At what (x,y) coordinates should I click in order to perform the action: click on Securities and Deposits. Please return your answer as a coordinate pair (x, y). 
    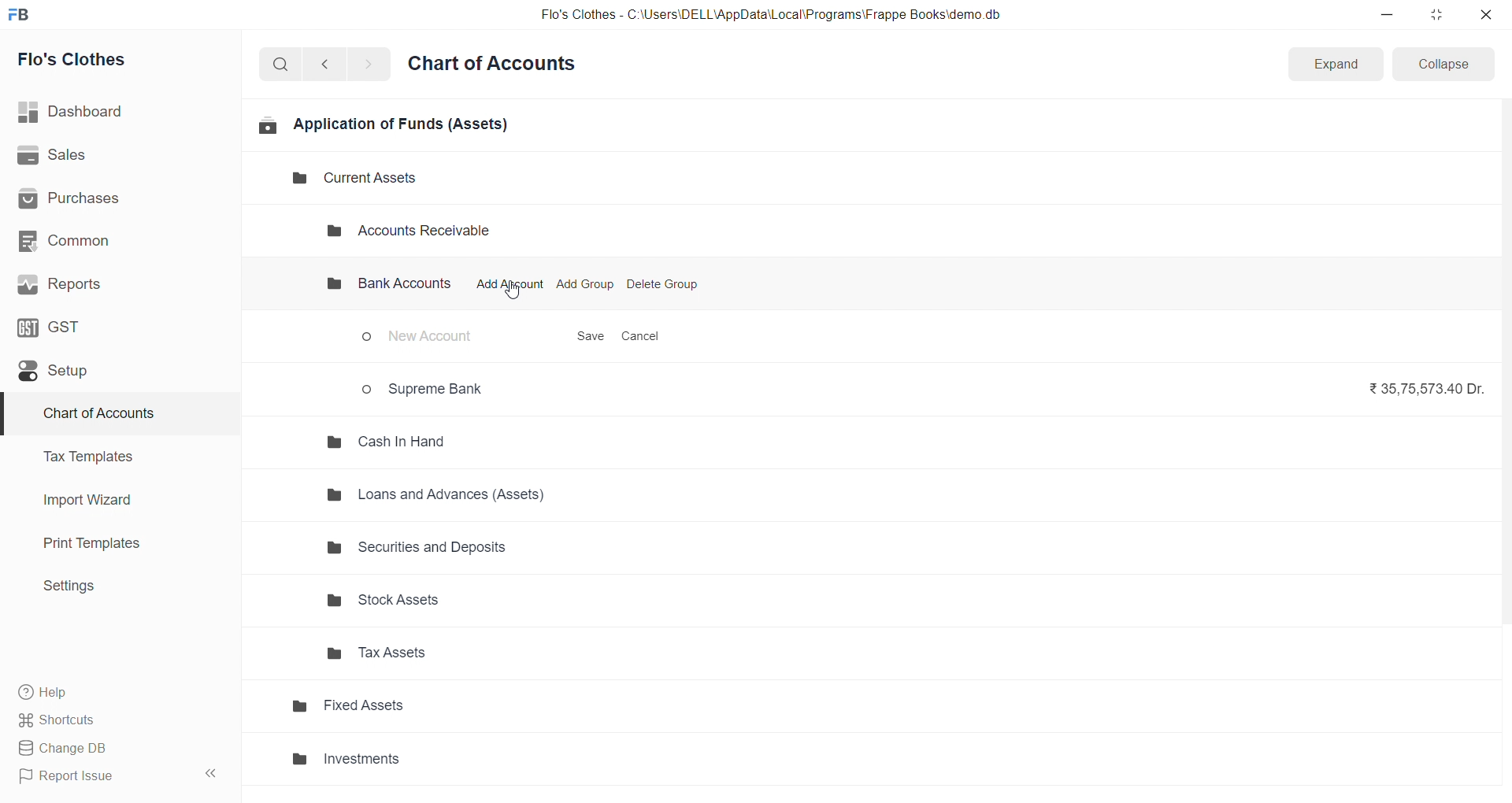
    Looking at the image, I should click on (454, 553).